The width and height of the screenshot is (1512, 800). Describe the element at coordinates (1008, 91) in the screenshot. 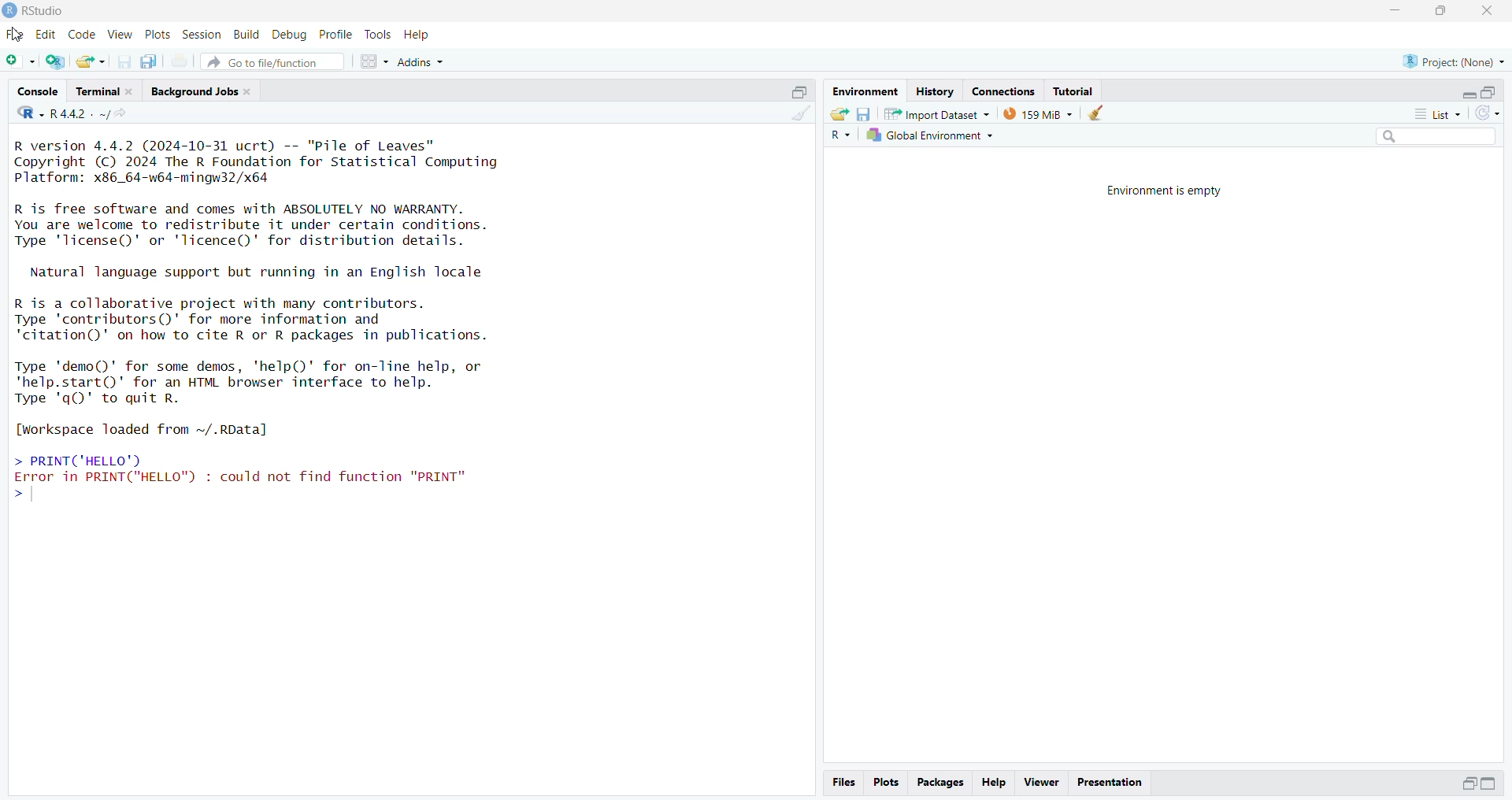

I see `connections` at that location.